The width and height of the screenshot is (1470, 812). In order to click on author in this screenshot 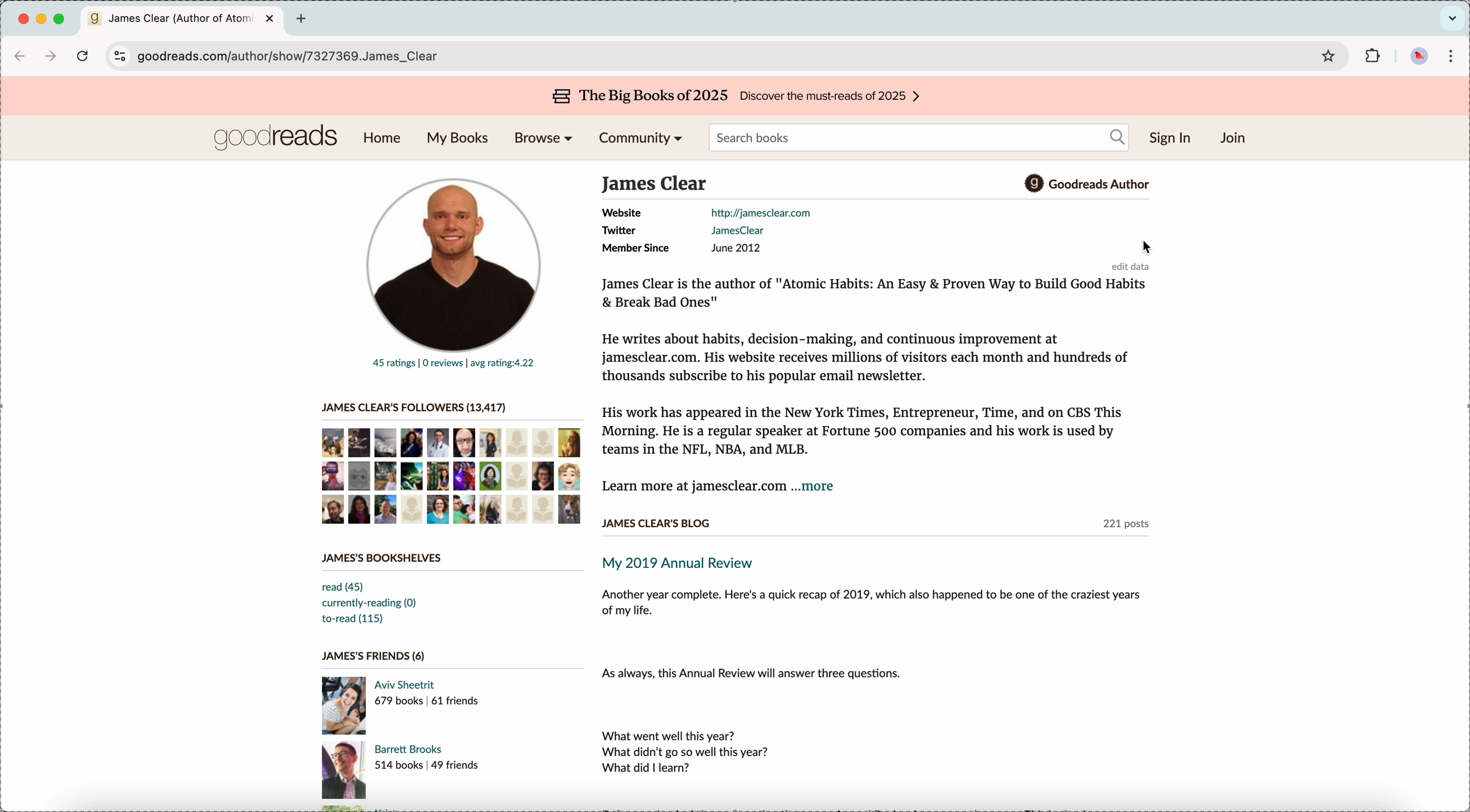, I will do `click(656, 183)`.